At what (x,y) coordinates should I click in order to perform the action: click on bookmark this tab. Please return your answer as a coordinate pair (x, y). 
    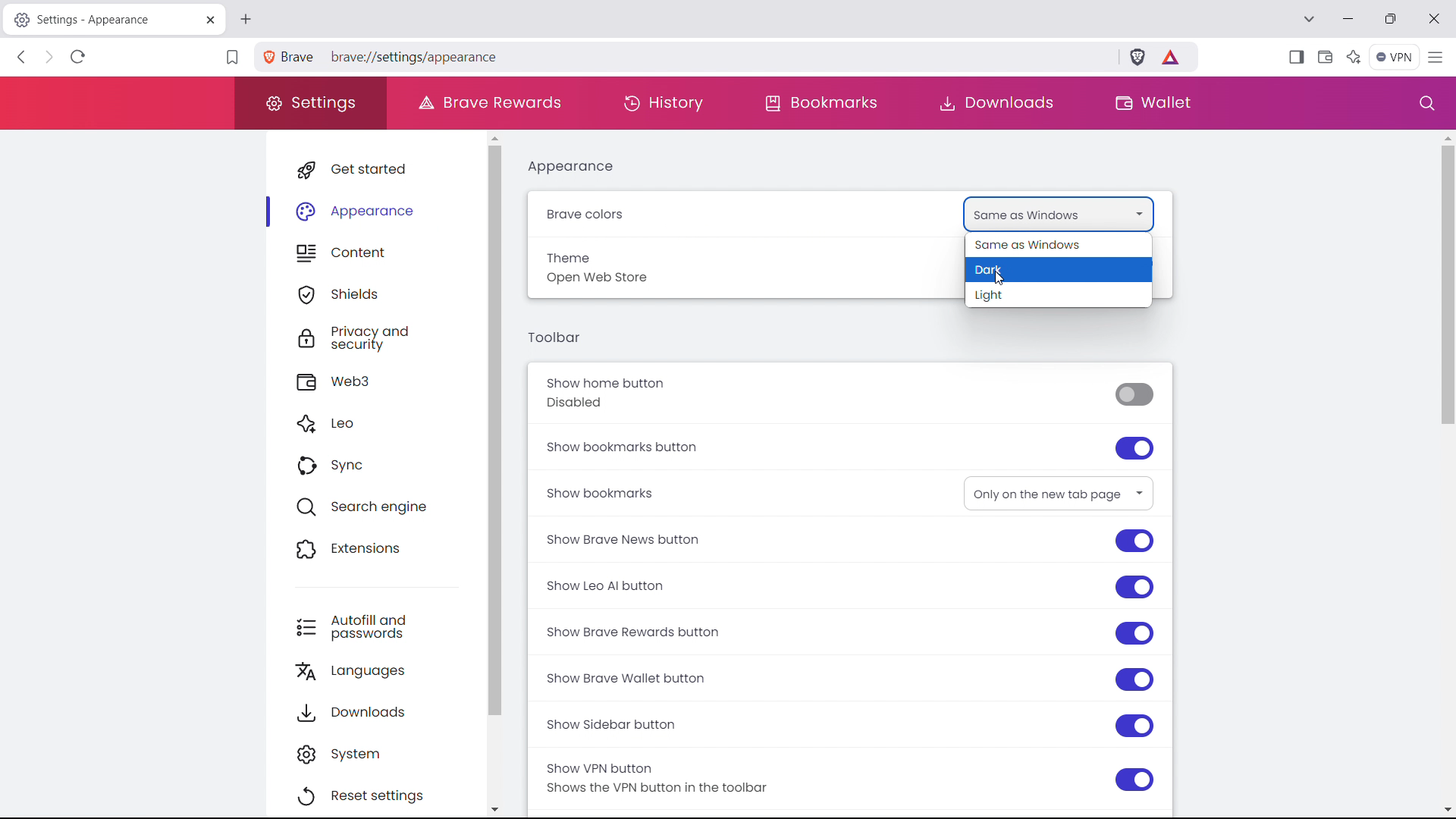
    Looking at the image, I should click on (232, 59).